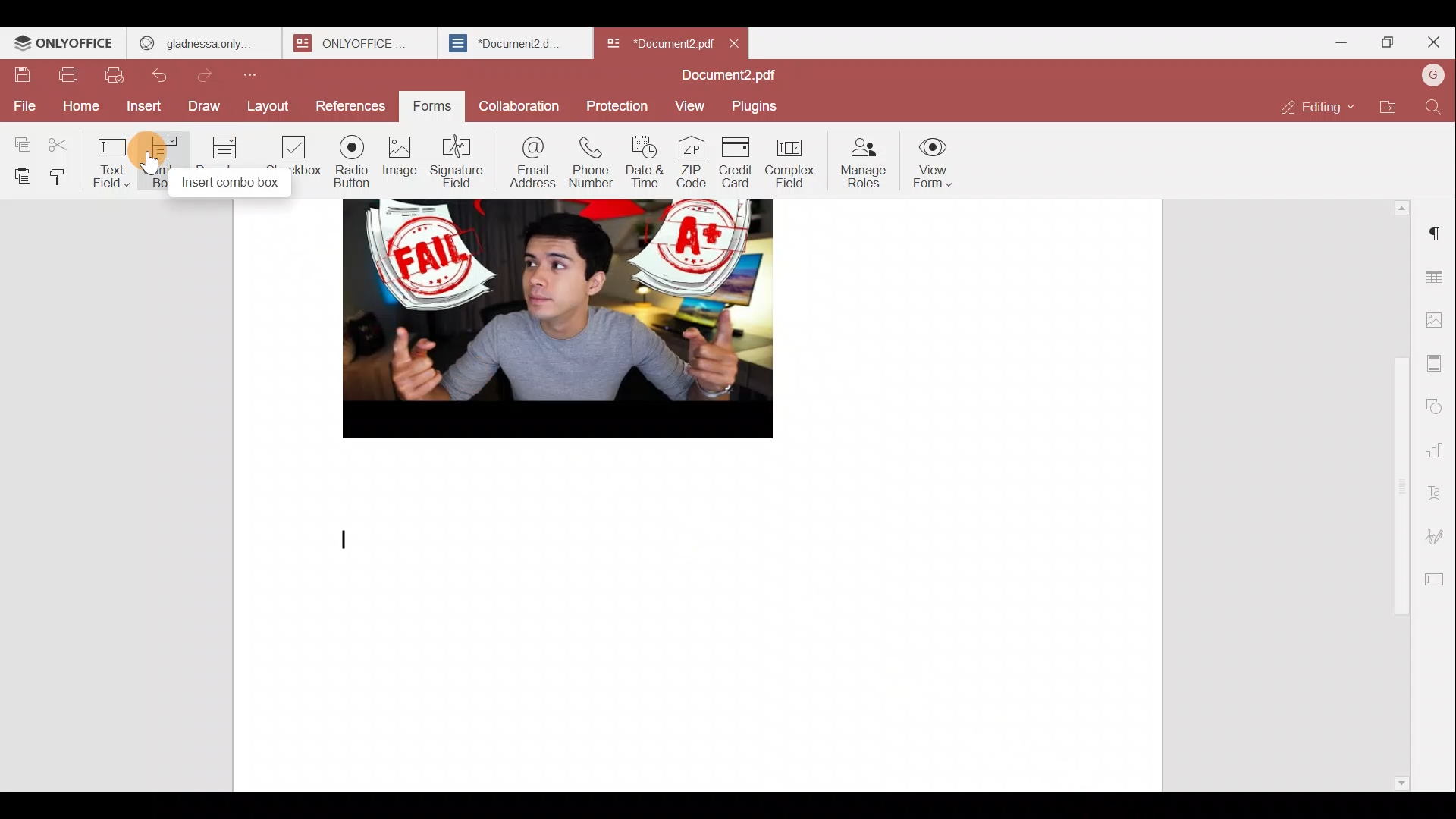 This screenshot has width=1456, height=819. I want to click on Redo, so click(212, 76).